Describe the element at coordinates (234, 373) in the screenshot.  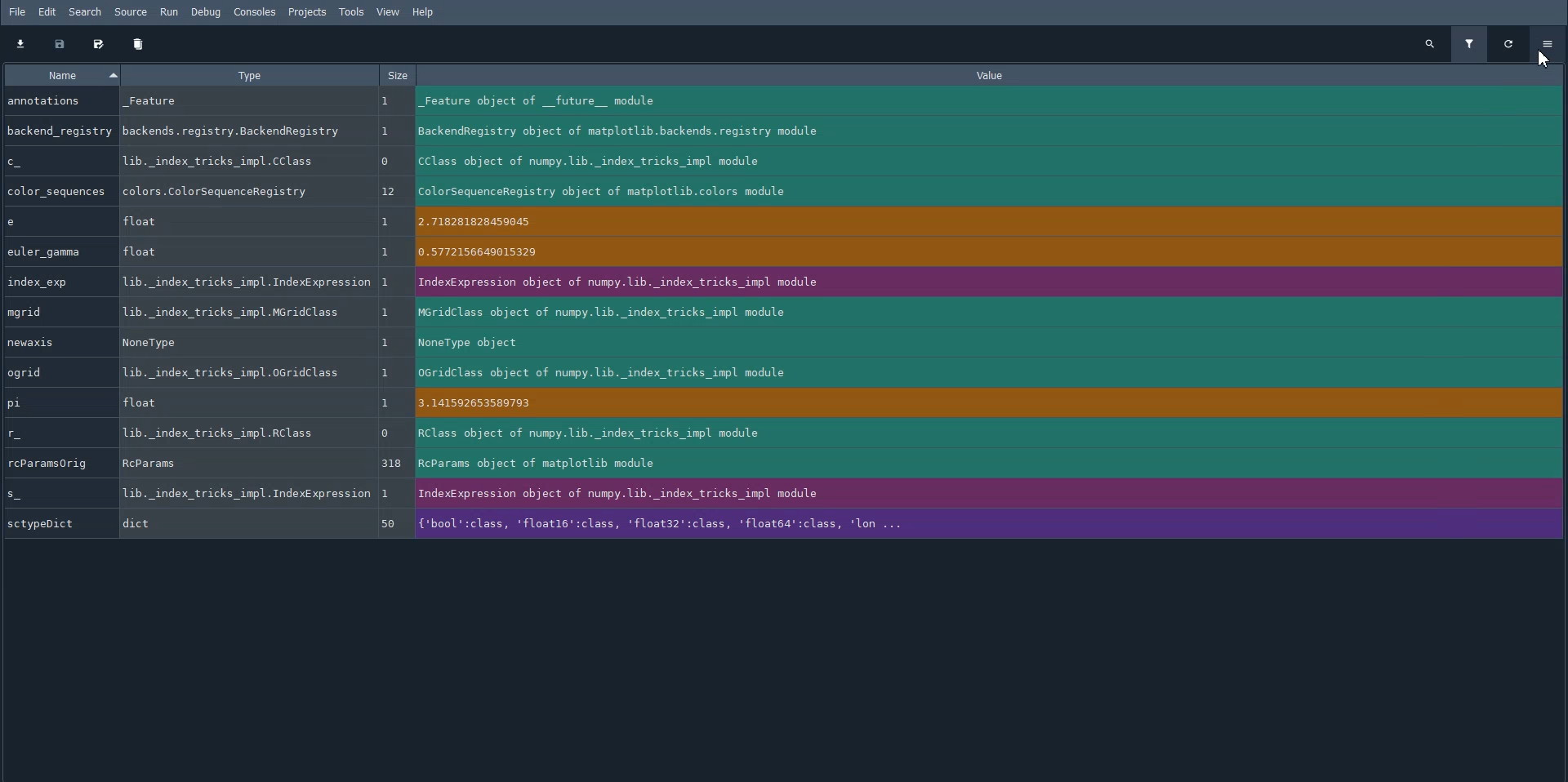
I see `type value` at that location.